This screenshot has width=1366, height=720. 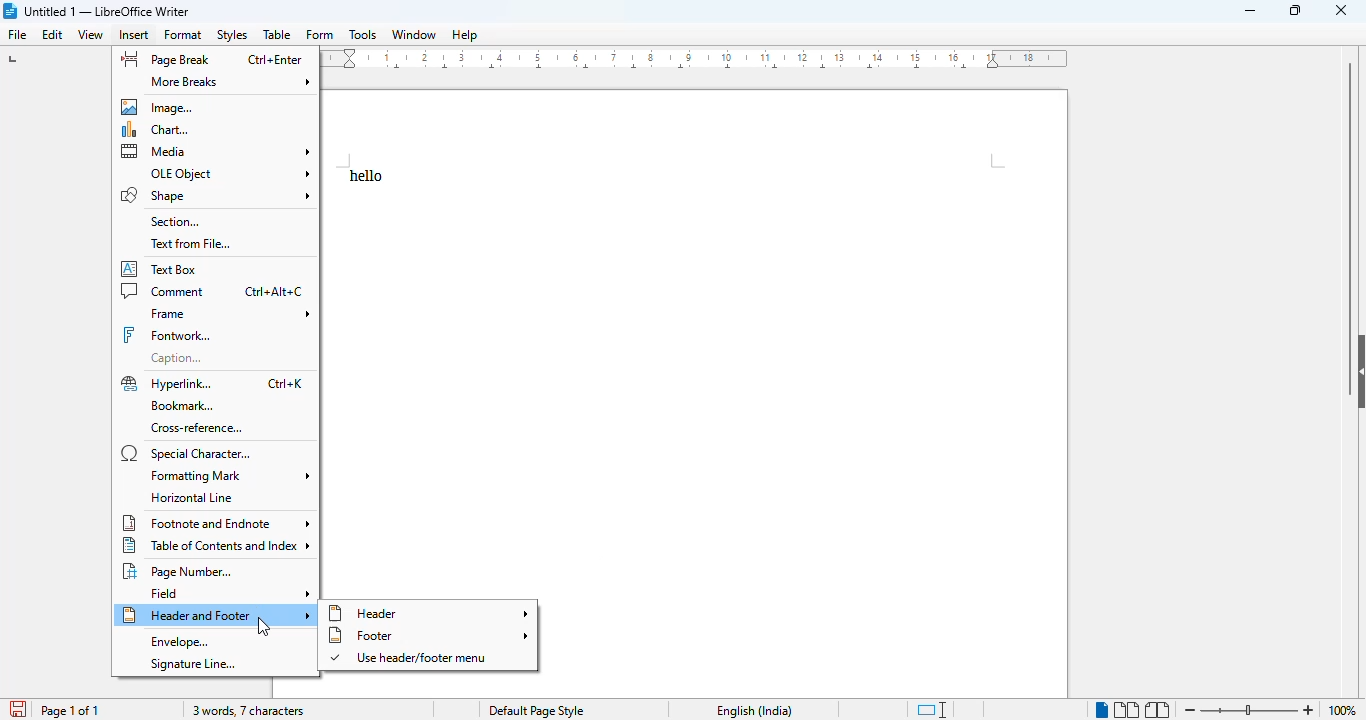 What do you see at coordinates (273, 292) in the screenshot?
I see `shortcut for comment` at bounding box center [273, 292].